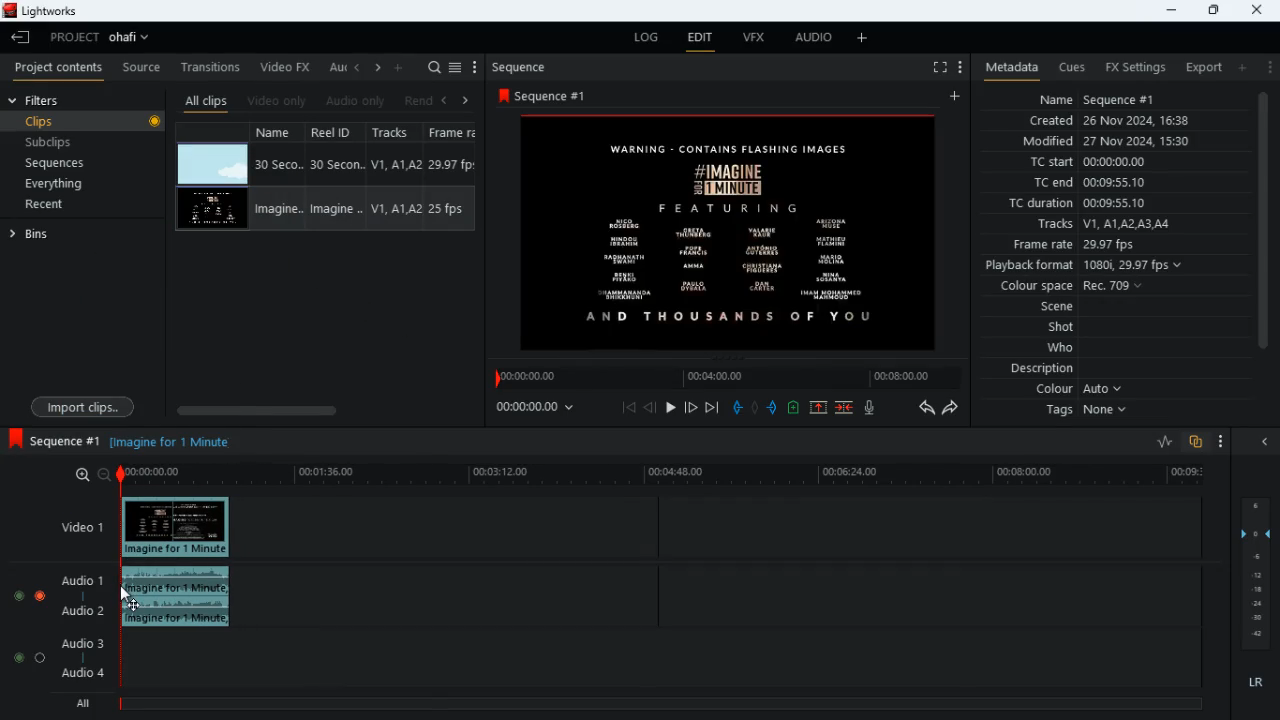 The width and height of the screenshot is (1280, 720). I want to click on V1, A1, Aw, so click(393, 210).